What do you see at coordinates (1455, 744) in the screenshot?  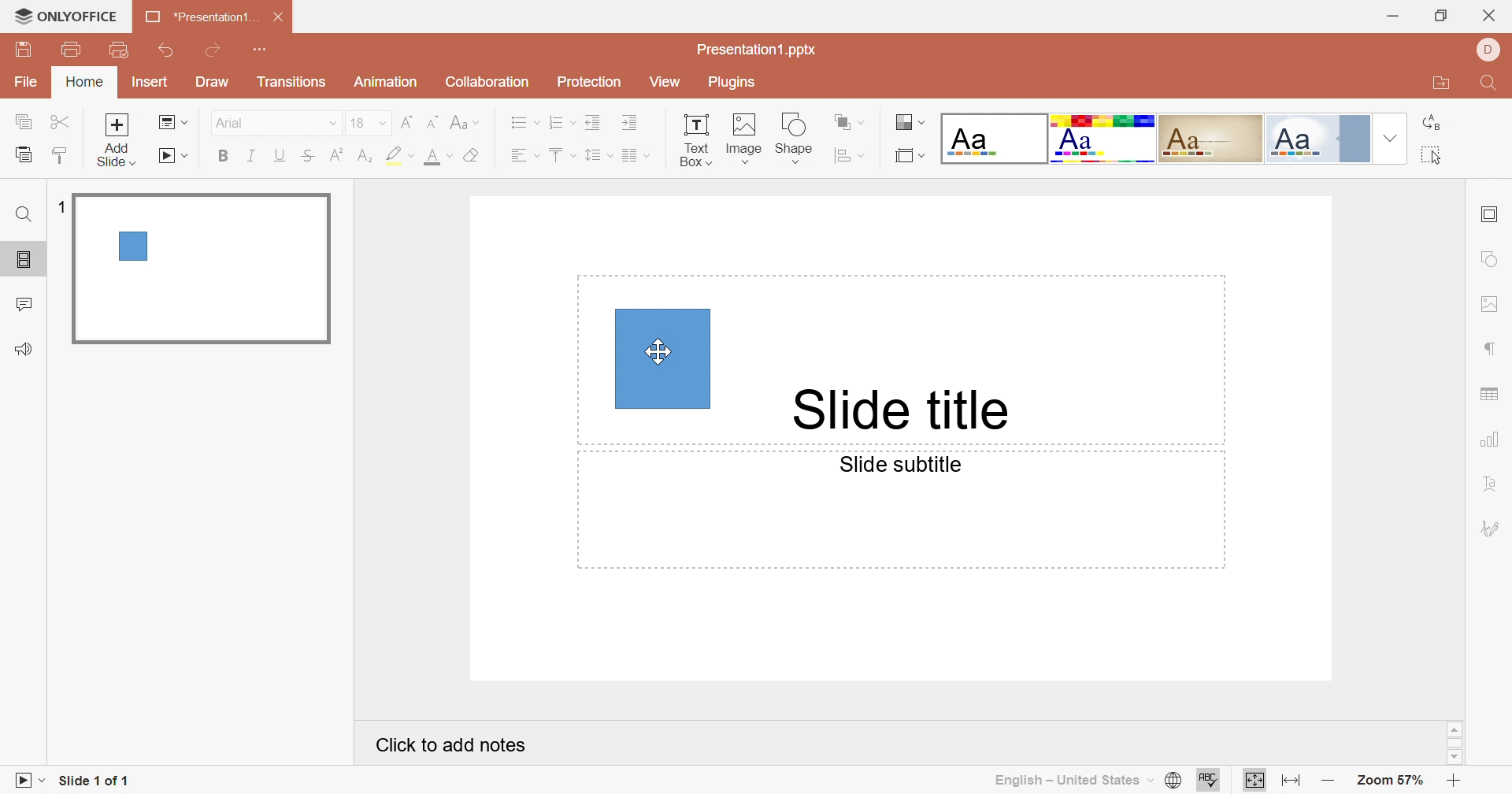 I see `Scroll bar` at bounding box center [1455, 744].